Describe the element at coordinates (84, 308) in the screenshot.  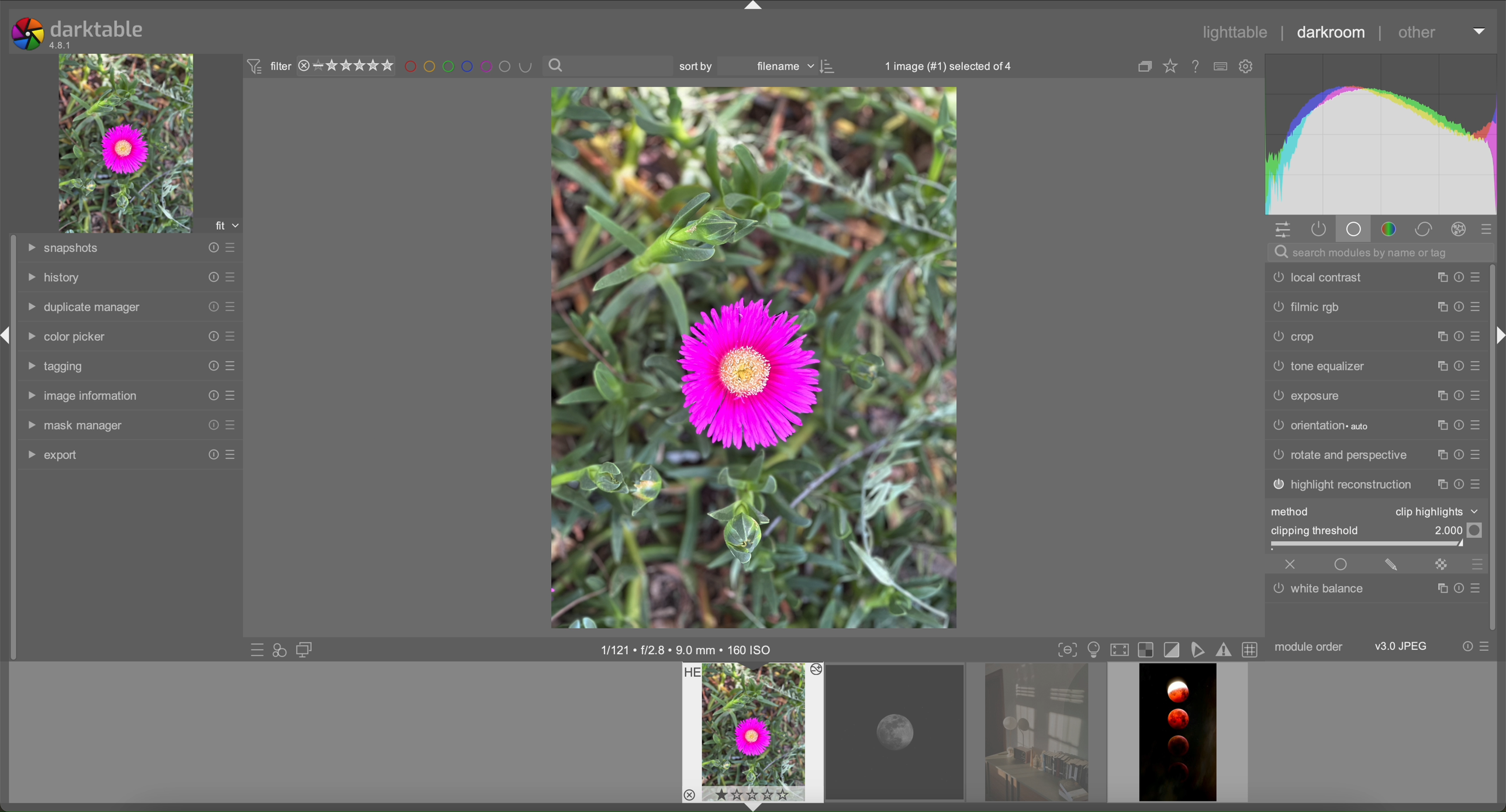
I see `duplicate manager tab` at that location.